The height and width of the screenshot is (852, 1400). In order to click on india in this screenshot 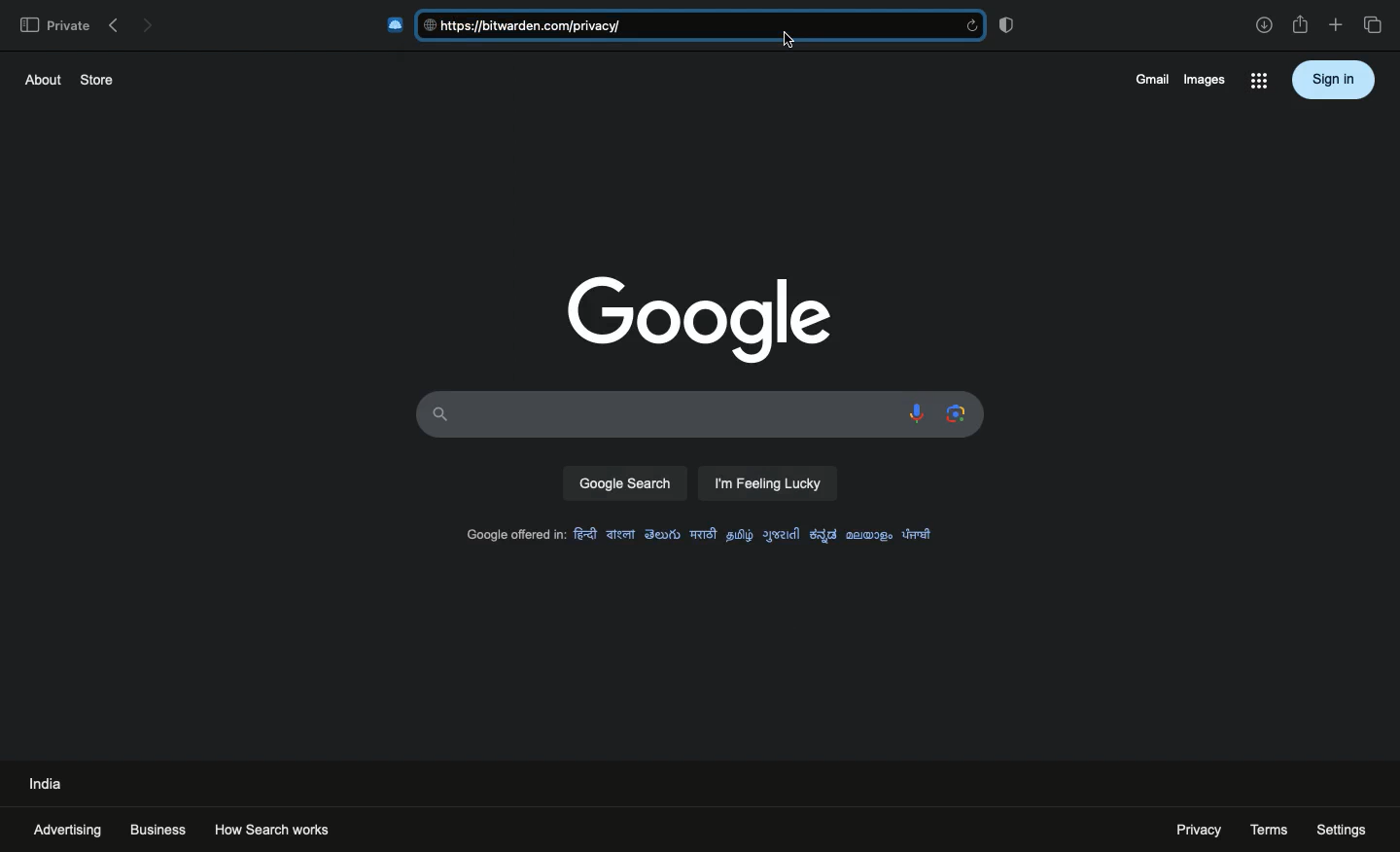, I will do `click(48, 782)`.